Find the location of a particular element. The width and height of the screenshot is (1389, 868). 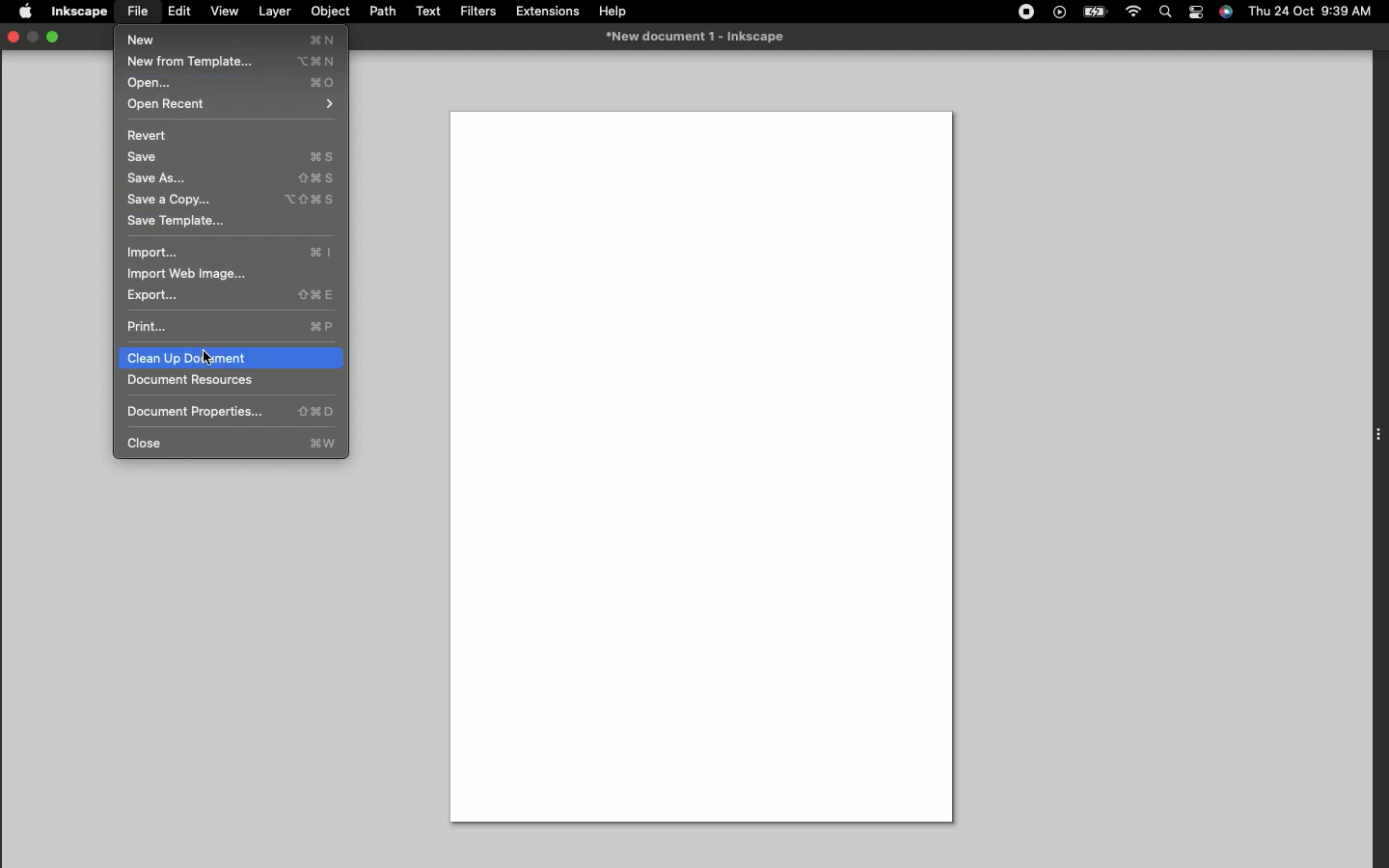

Close is located at coordinates (232, 442).